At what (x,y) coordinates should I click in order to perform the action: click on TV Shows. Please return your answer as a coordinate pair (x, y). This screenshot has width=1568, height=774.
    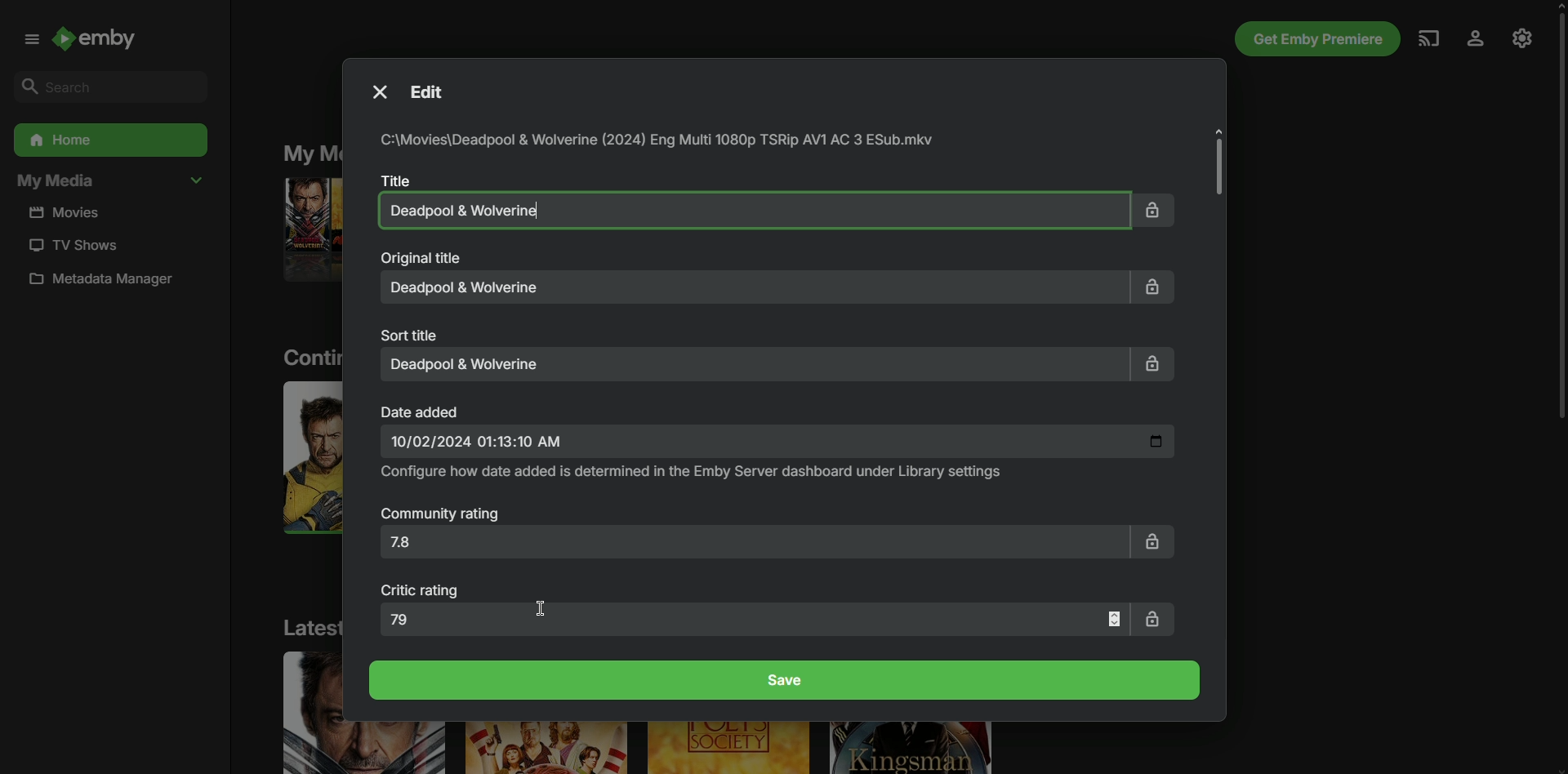
    Looking at the image, I should click on (71, 245).